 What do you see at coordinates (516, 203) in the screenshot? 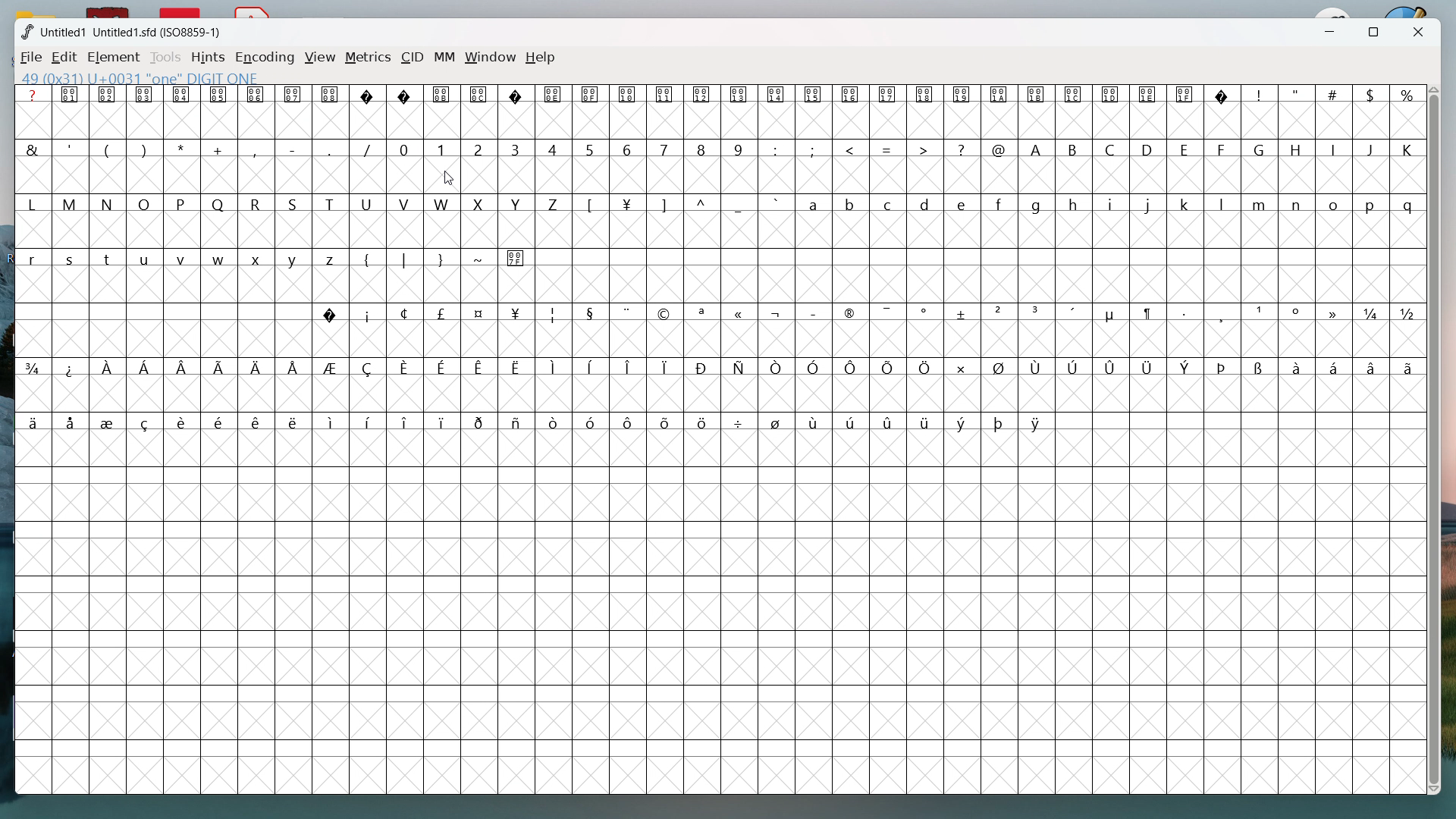
I see `Y` at bounding box center [516, 203].